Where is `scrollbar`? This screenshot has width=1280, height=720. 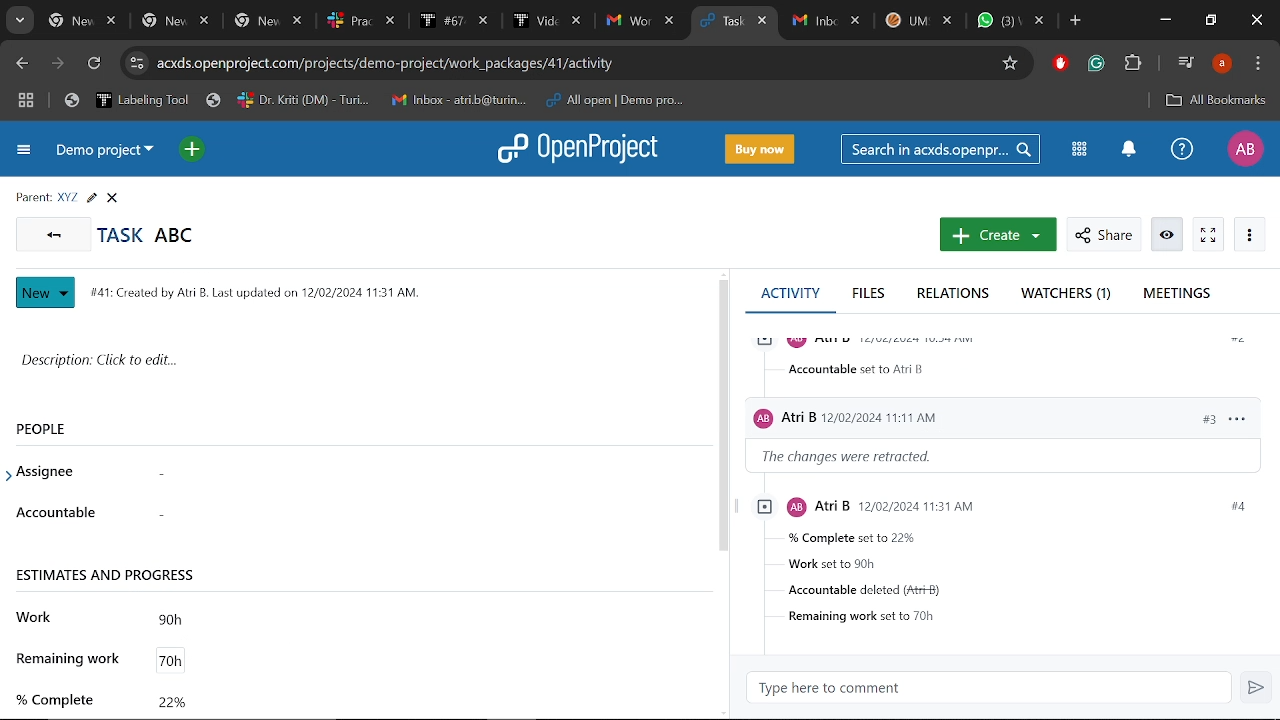 scrollbar is located at coordinates (725, 436).